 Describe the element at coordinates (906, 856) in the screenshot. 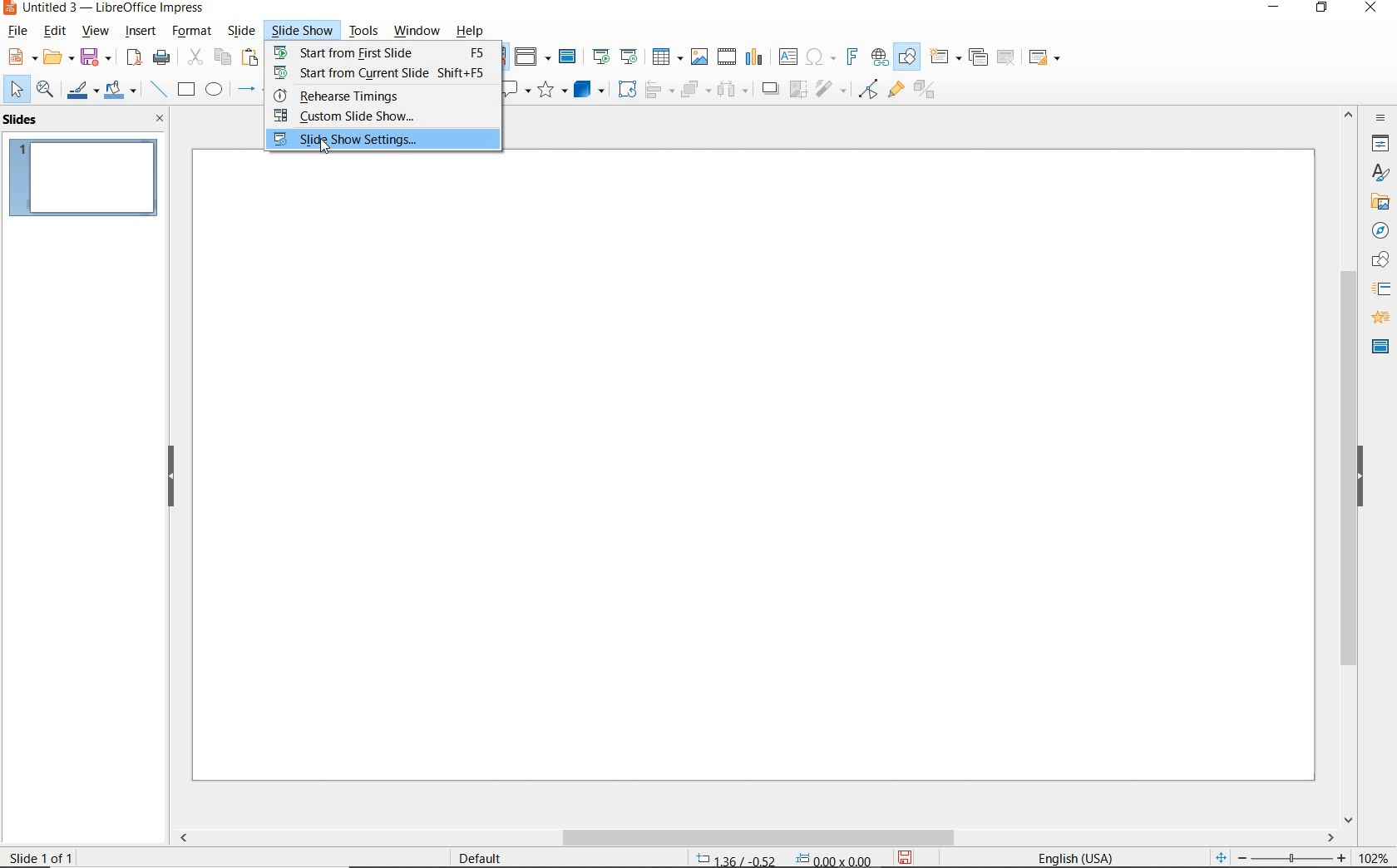

I see `SAVE` at that location.